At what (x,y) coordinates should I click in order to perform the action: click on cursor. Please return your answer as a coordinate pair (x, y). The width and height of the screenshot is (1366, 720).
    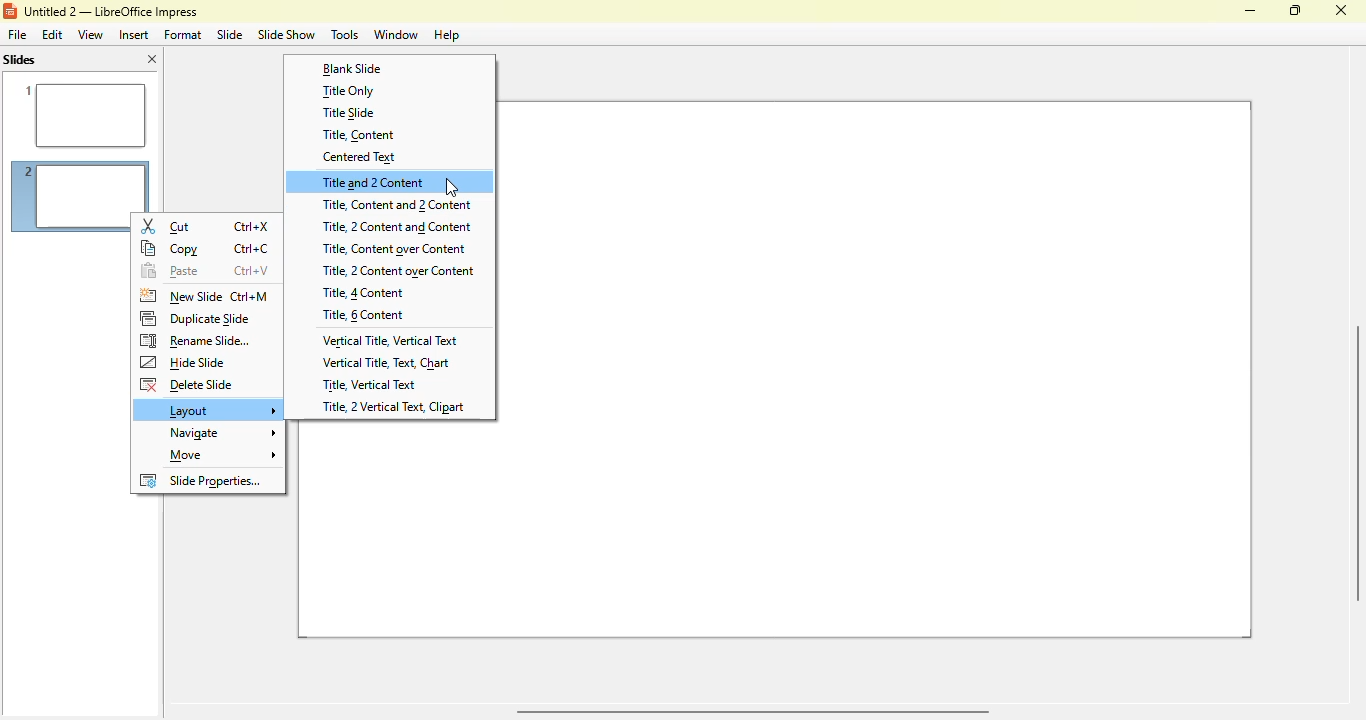
    Looking at the image, I should click on (452, 188).